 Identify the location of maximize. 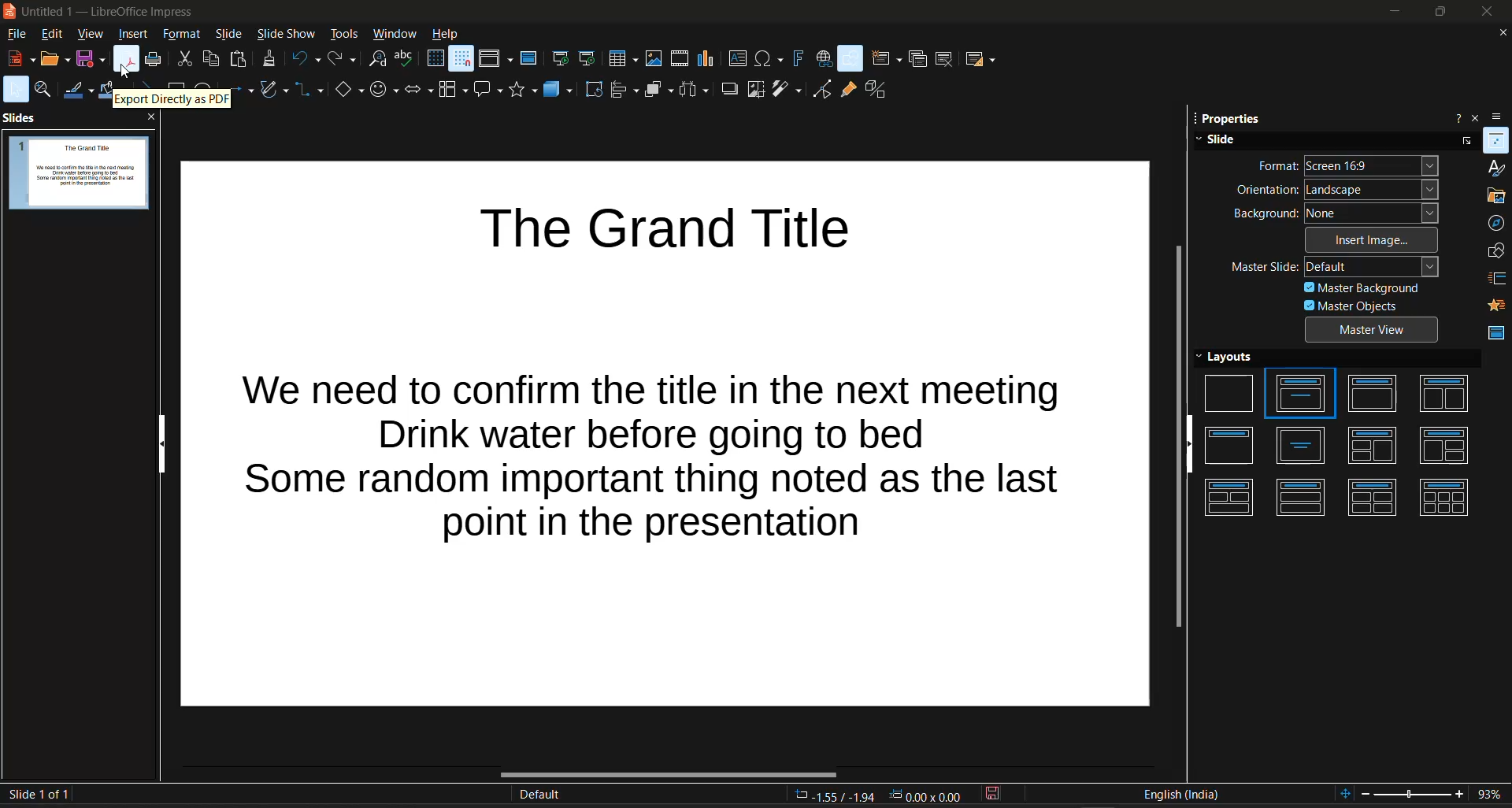
(1436, 12).